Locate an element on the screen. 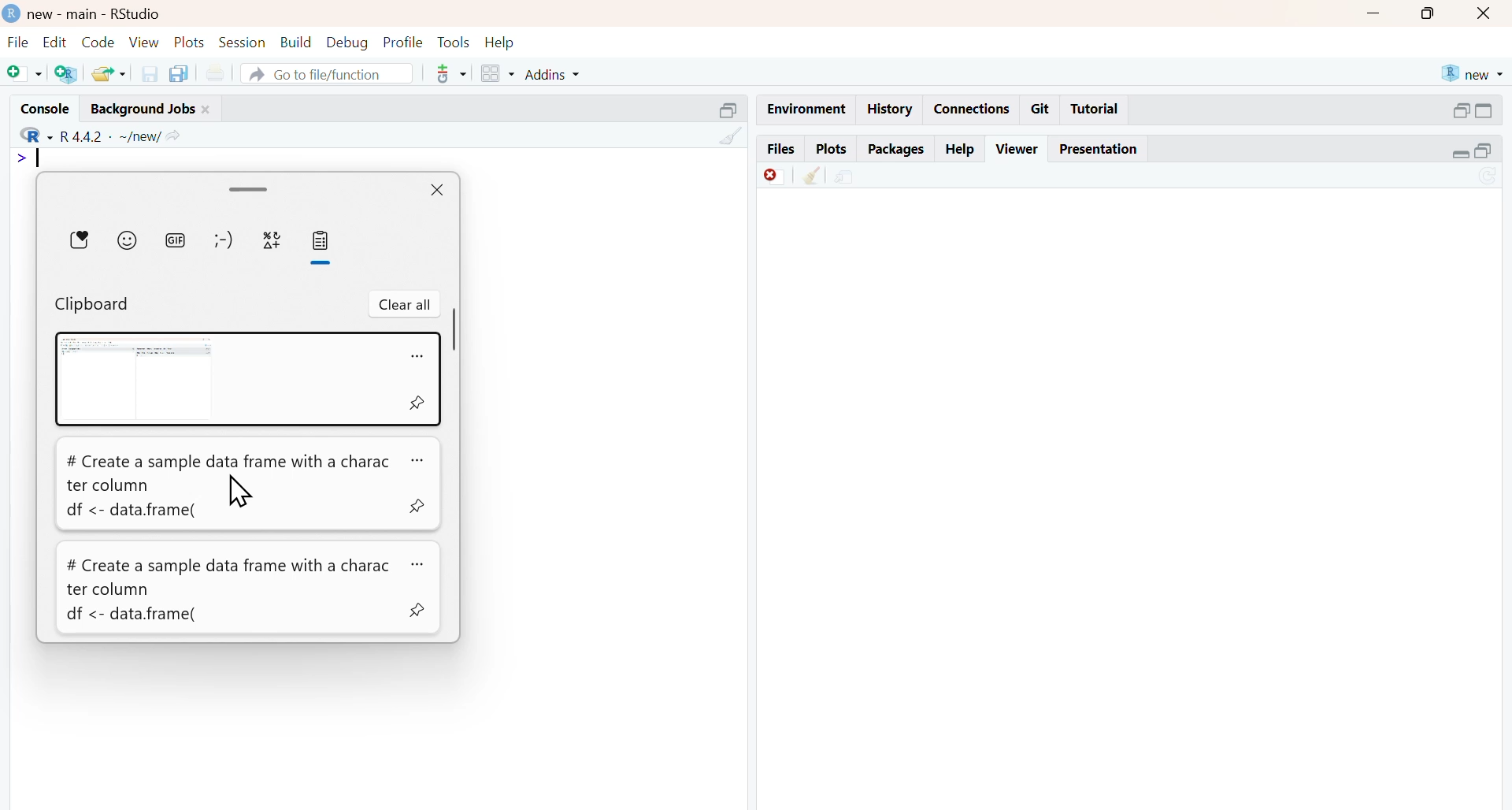  Discard  is located at coordinates (775, 176).